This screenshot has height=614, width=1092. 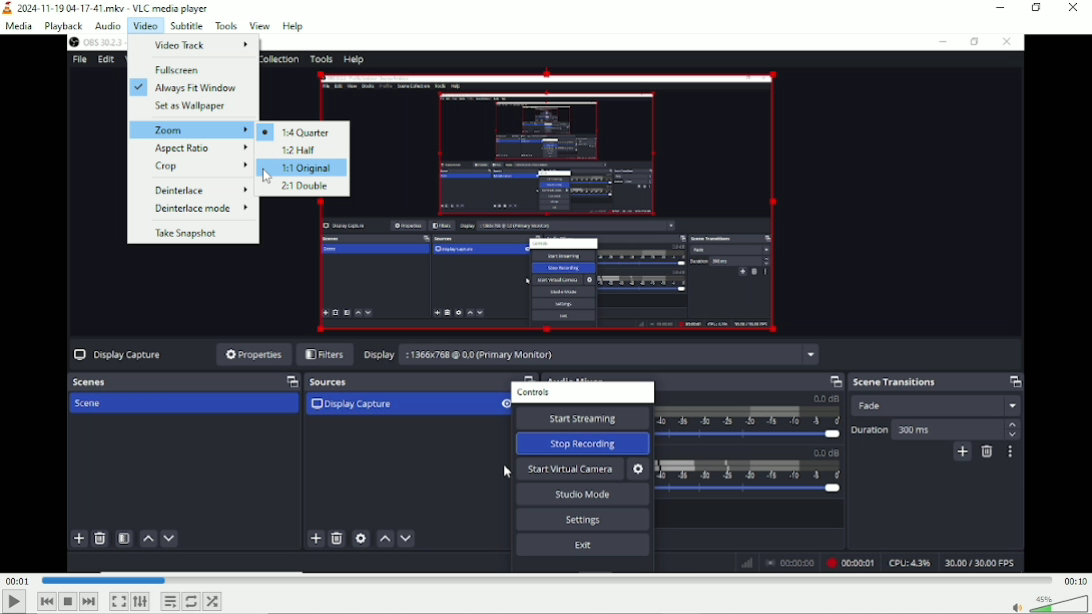 What do you see at coordinates (47, 601) in the screenshot?
I see `Previous` at bounding box center [47, 601].